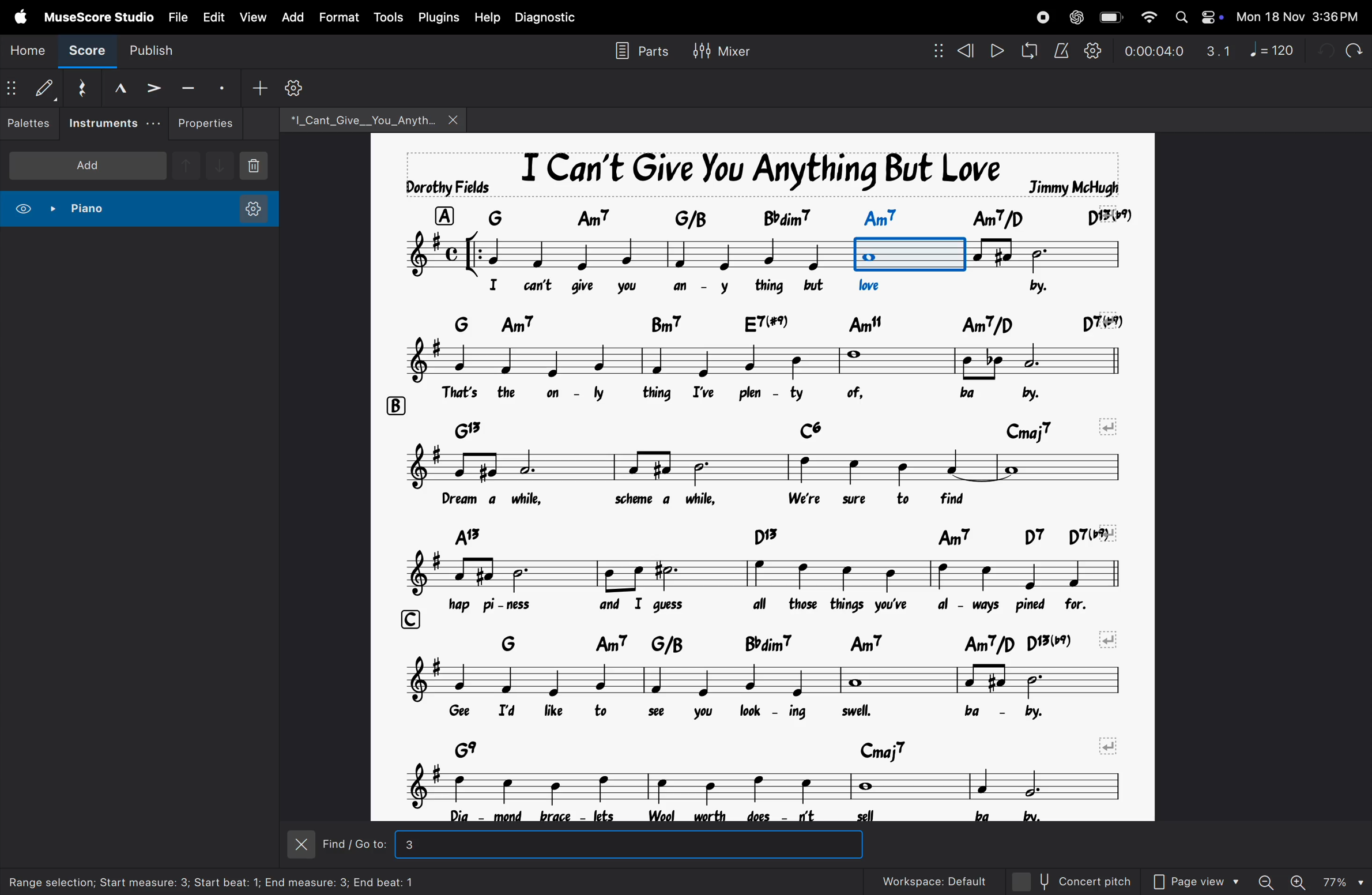 Image resolution: width=1372 pixels, height=895 pixels. What do you see at coordinates (720, 49) in the screenshot?
I see `mixer` at bounding box center [720, 49].